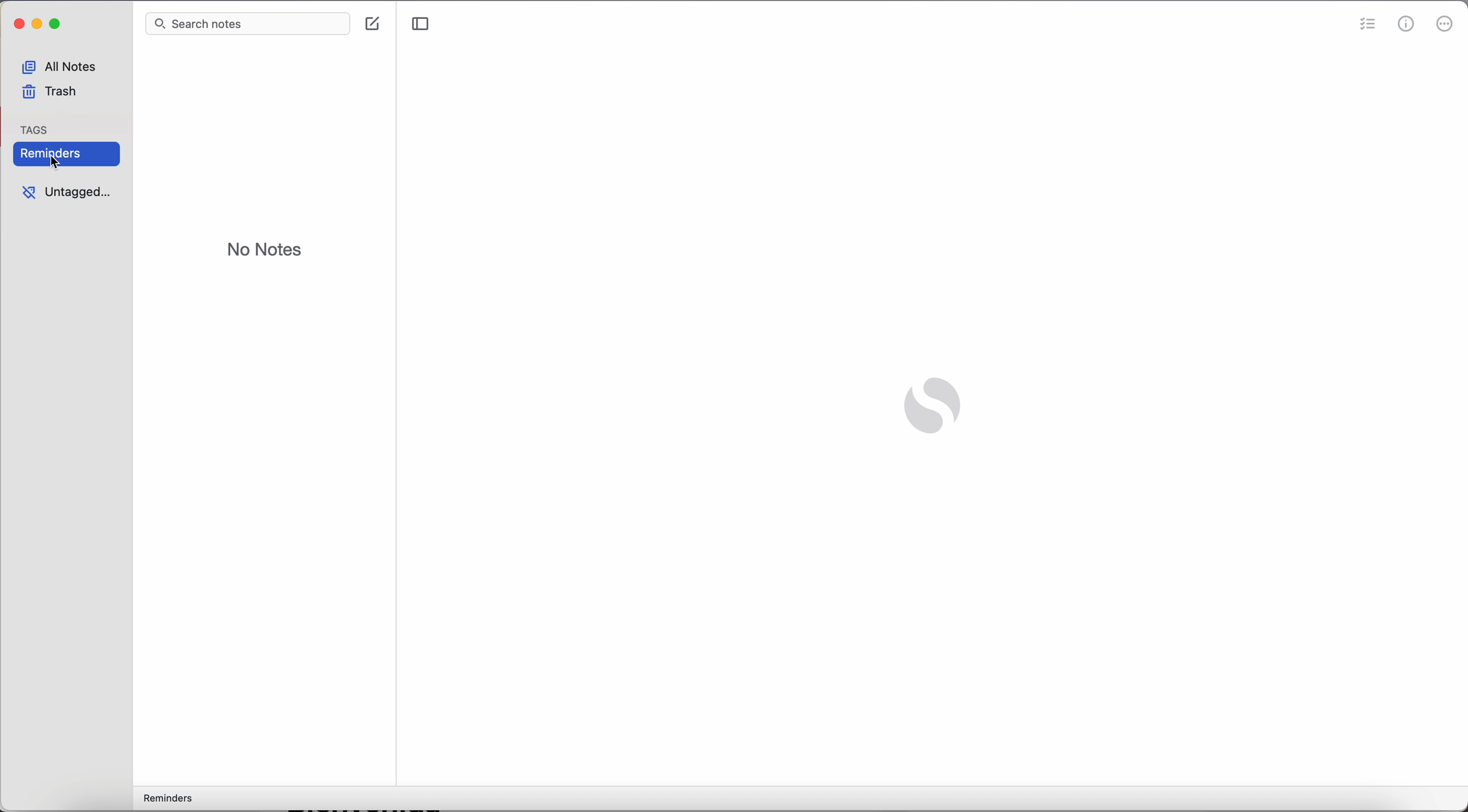 This screenshot has width=1468, height=812. I want to click on search bar, so click(250, 25).